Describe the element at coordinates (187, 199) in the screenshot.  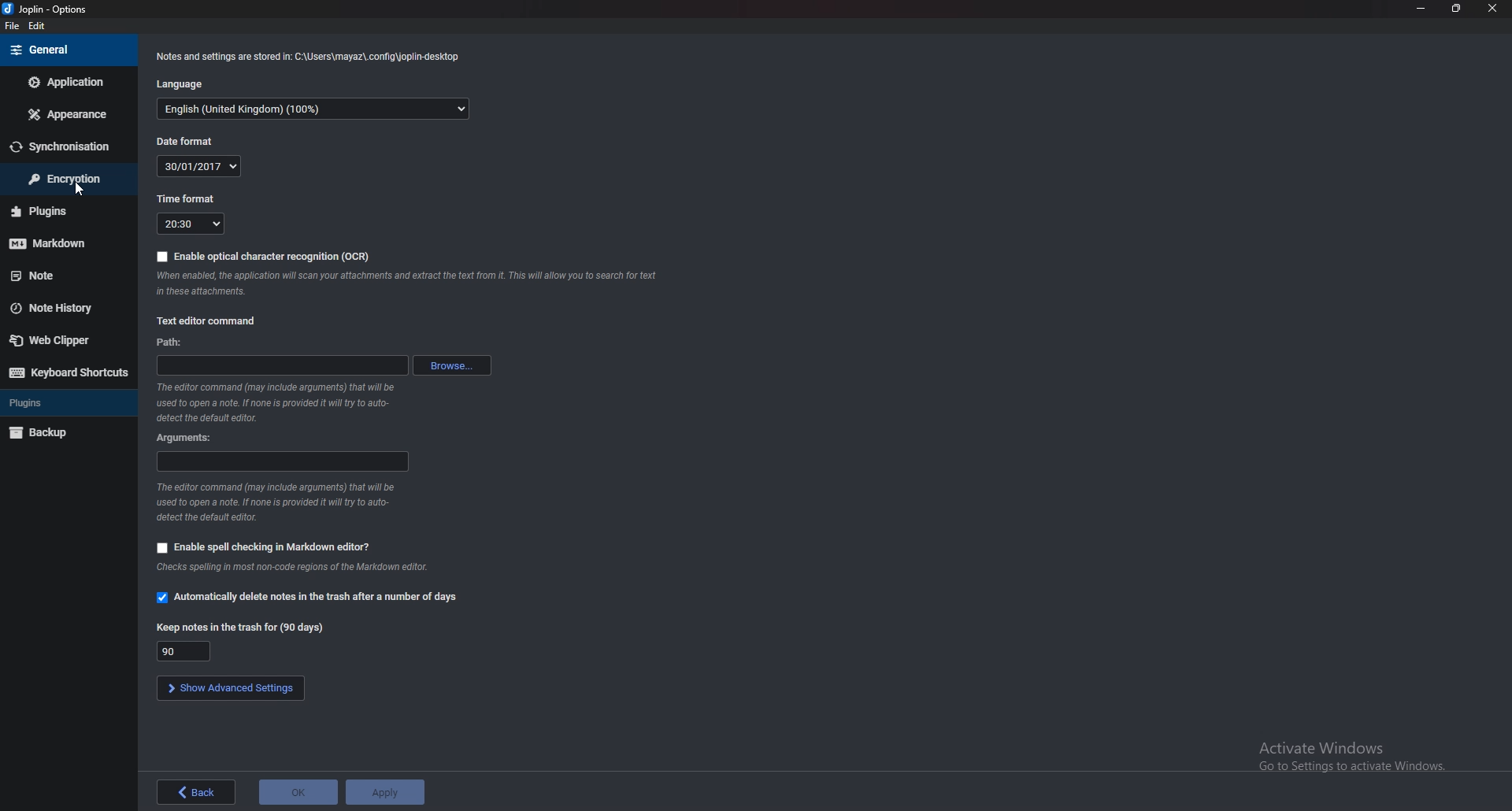
I see `time format` at that location.